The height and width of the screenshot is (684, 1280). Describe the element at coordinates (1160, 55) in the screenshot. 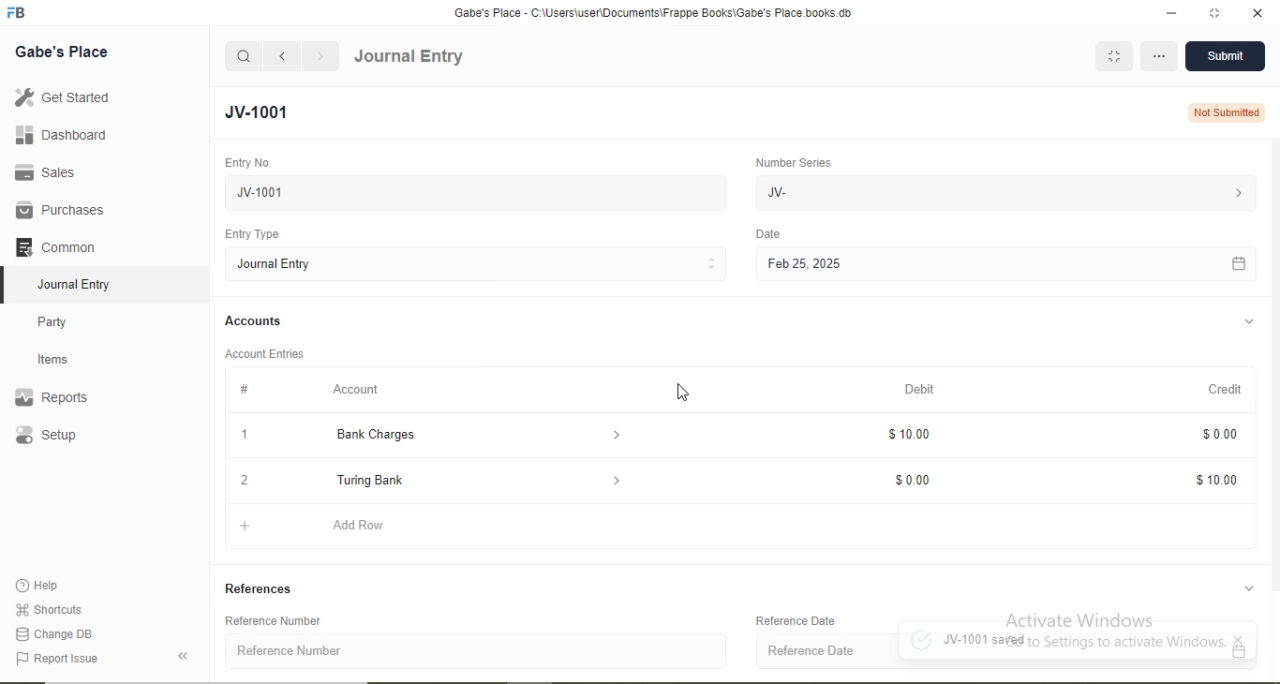

I see `more options` at that location.